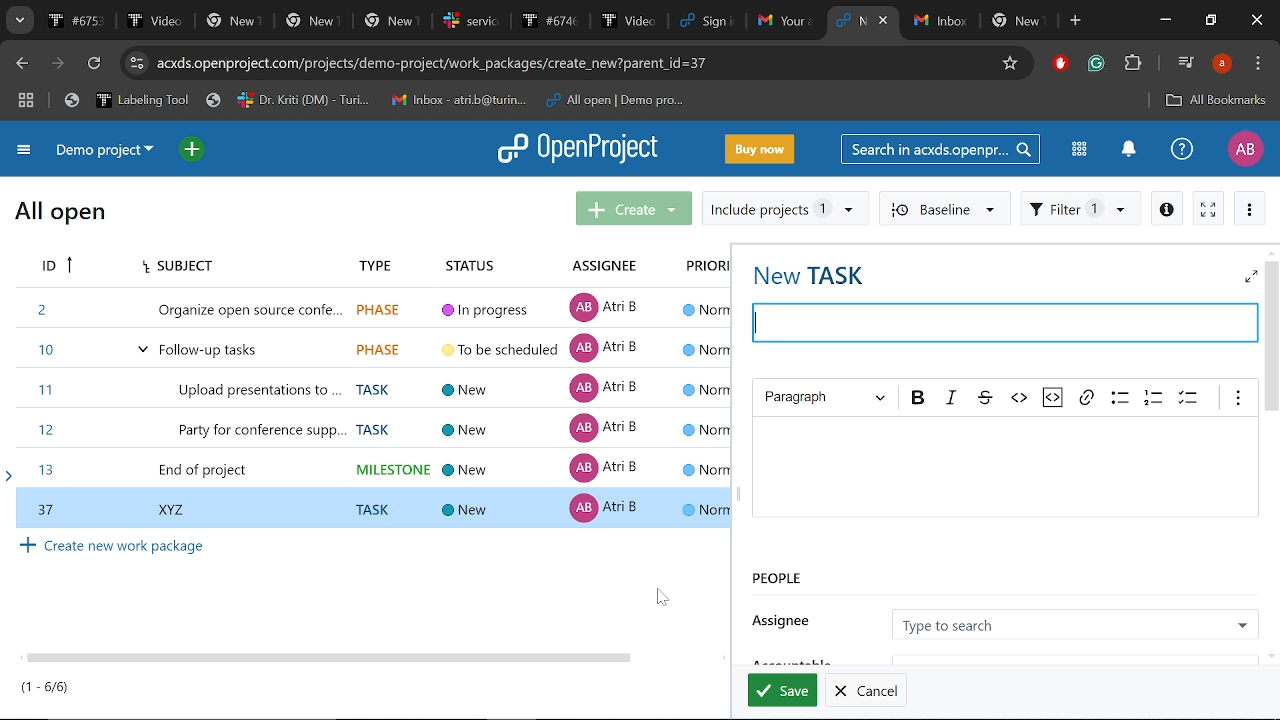 Image resolution: width=1280 pixels, height=720 pixels. I want to click on Selected task, so click(372, 507).